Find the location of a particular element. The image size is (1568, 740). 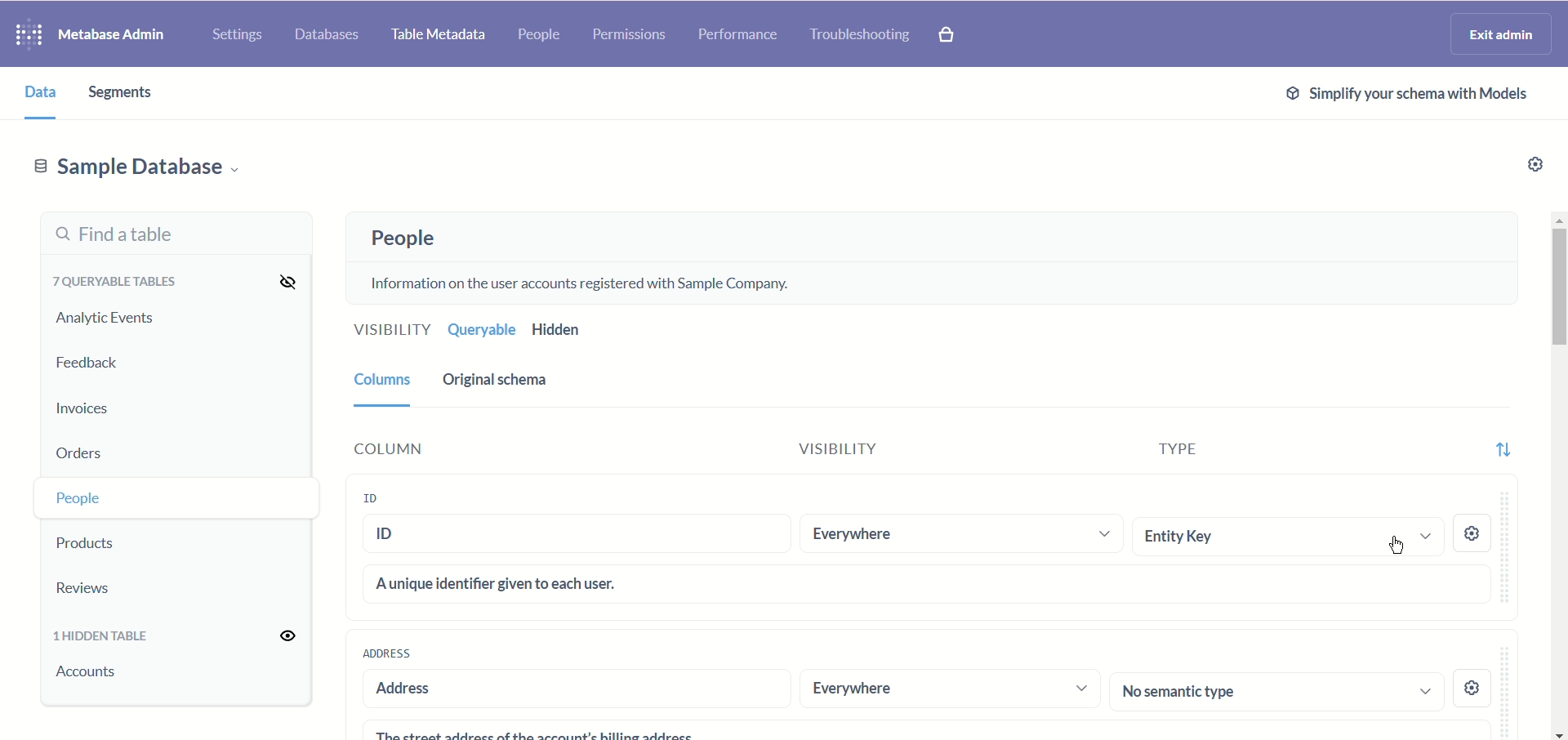

Sample database is located at coordinates (136, 166).